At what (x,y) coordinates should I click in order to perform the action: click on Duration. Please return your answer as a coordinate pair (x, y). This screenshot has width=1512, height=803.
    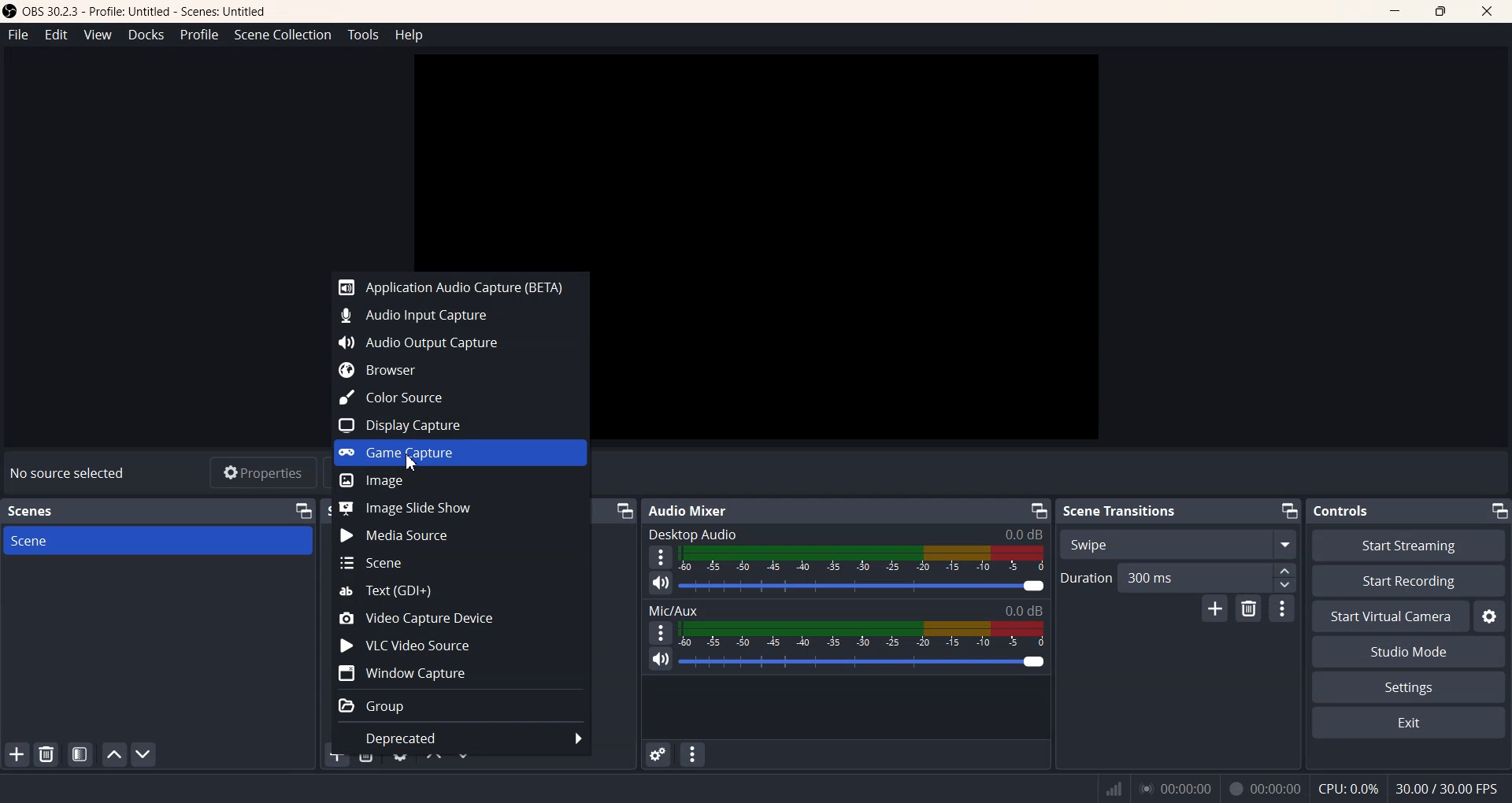
    Looking at the image, I should click on (1178, 578).